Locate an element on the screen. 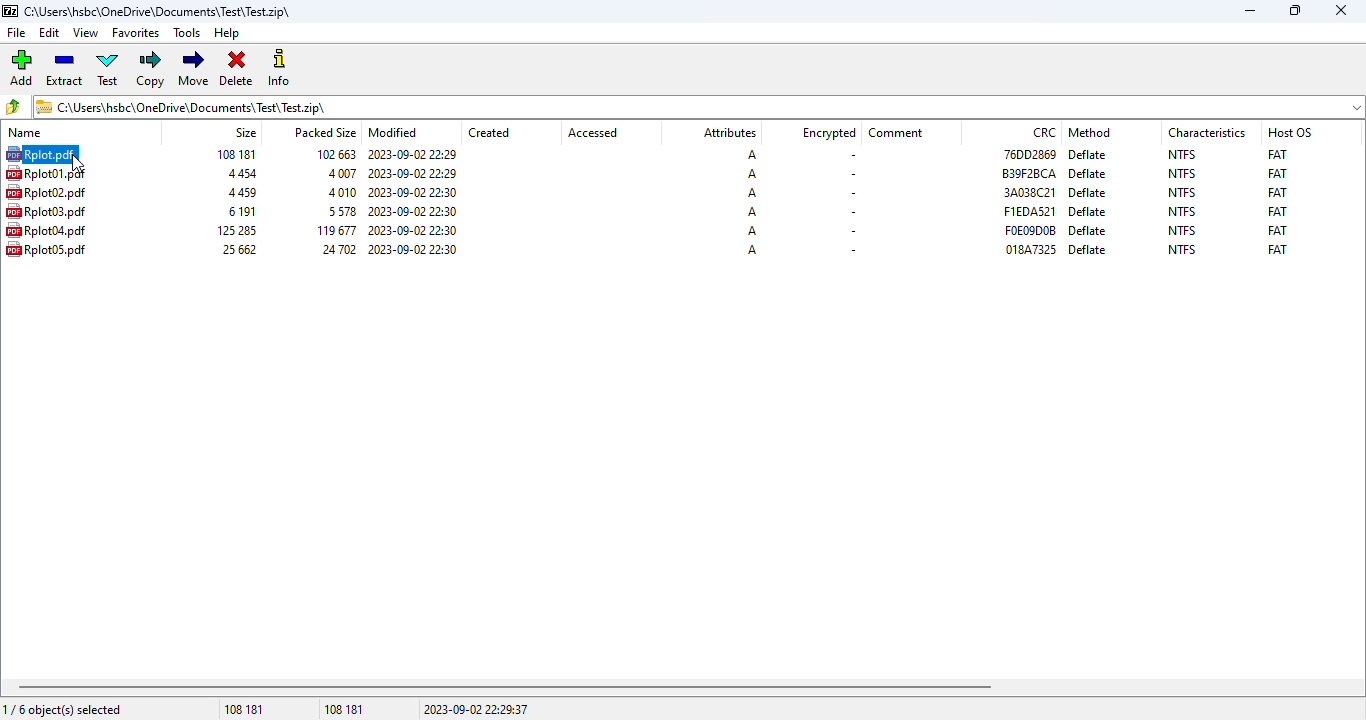 The width and height of the screenshot is (1366, 720). copy is located at coordinates (152, 69).